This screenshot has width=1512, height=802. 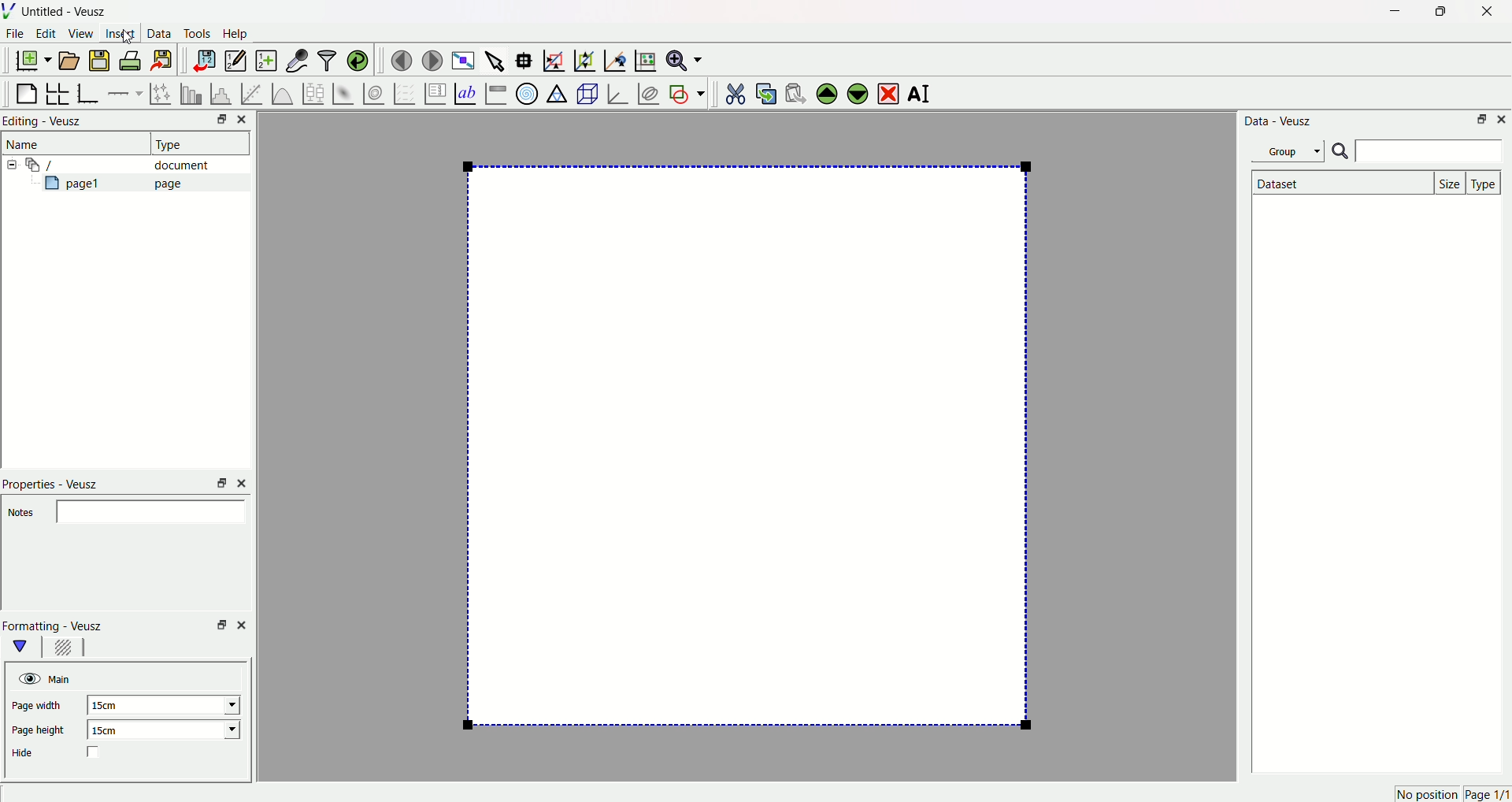 I want to click on Editing - Veusz, so click(x=46, y=122).